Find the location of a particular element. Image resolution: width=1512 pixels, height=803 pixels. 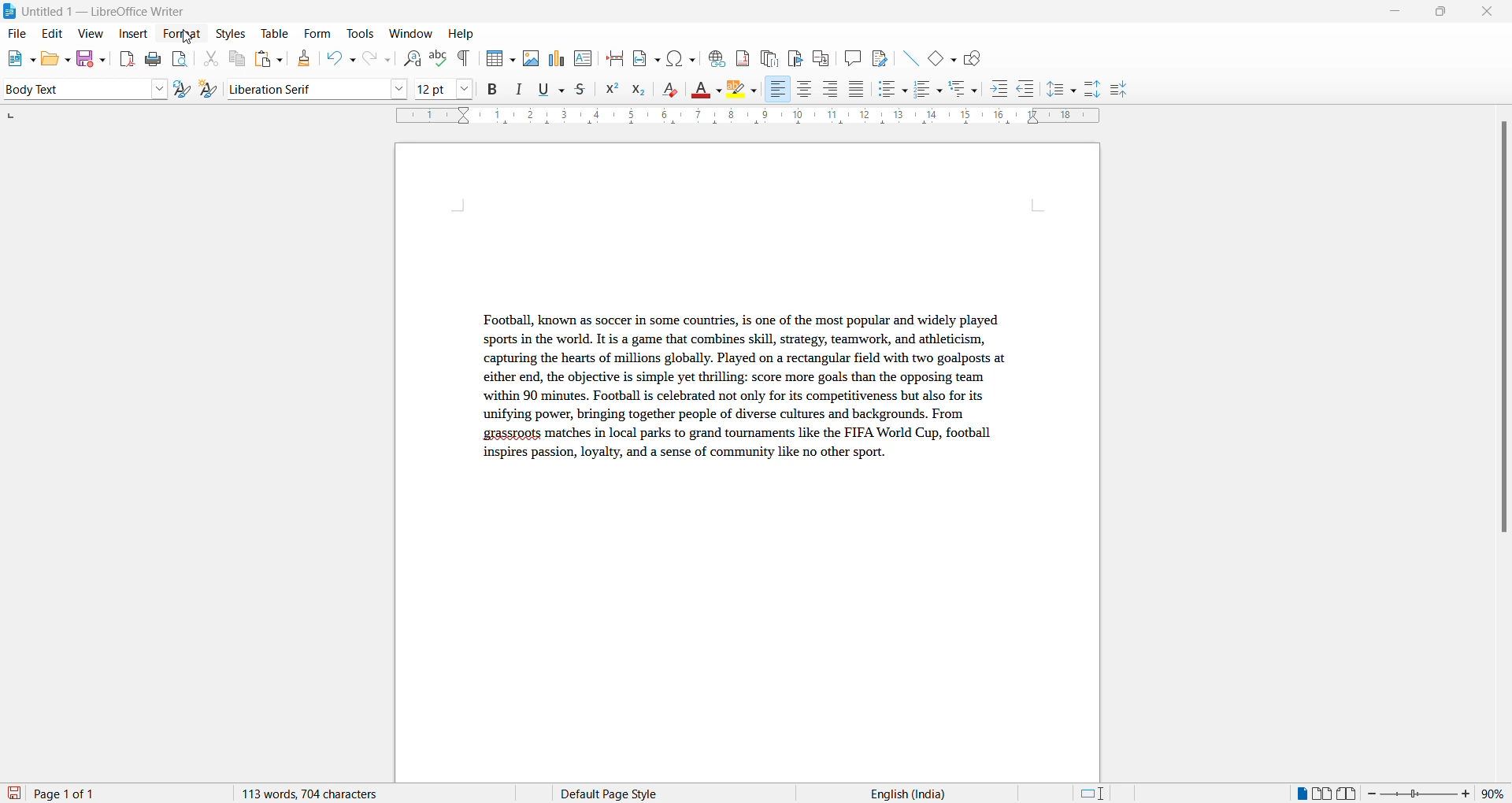

increase indent is located at coordinates (1004, 90).